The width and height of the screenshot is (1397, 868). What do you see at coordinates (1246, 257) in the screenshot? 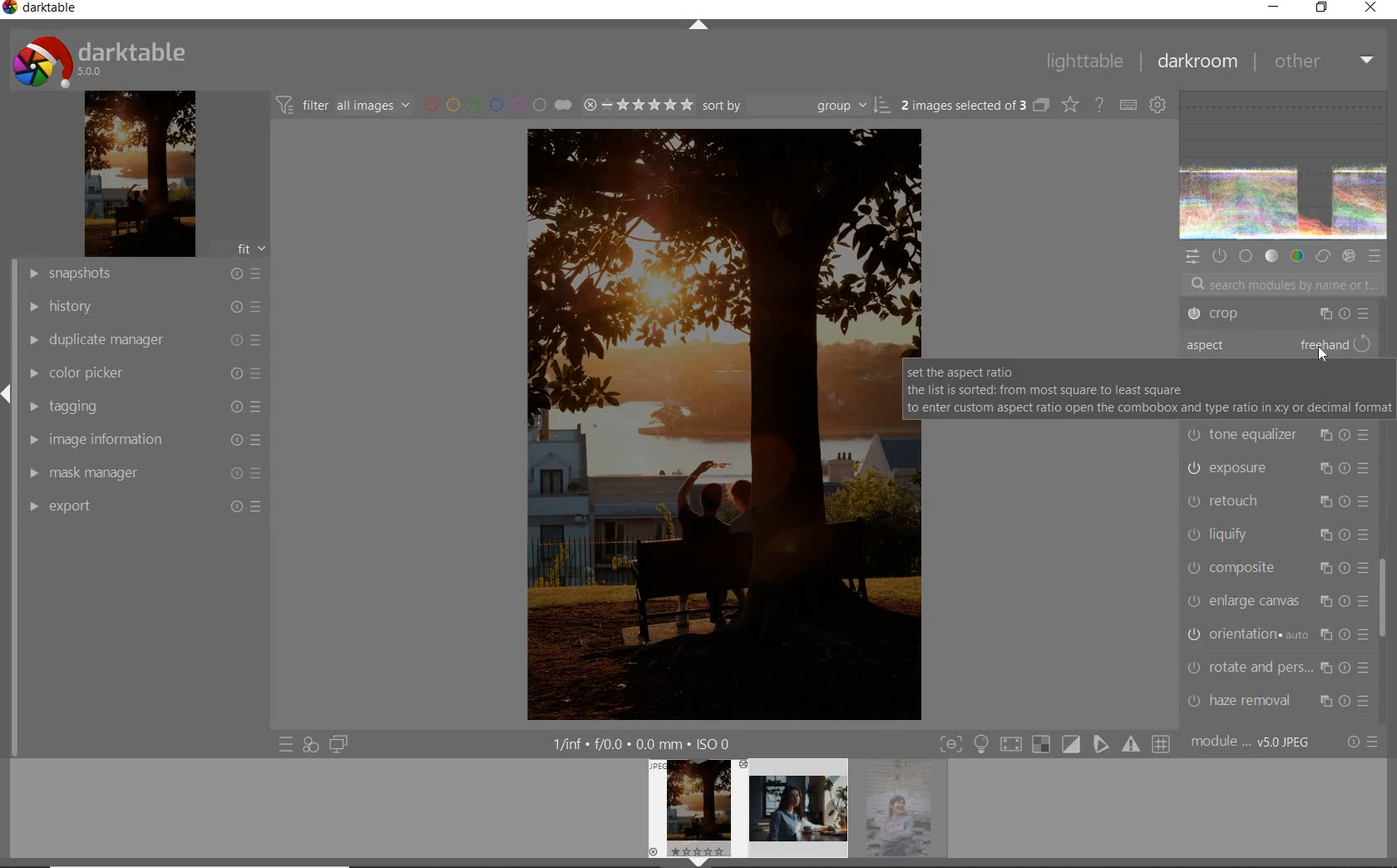
I see `base` at bounding box center [1246, 257].